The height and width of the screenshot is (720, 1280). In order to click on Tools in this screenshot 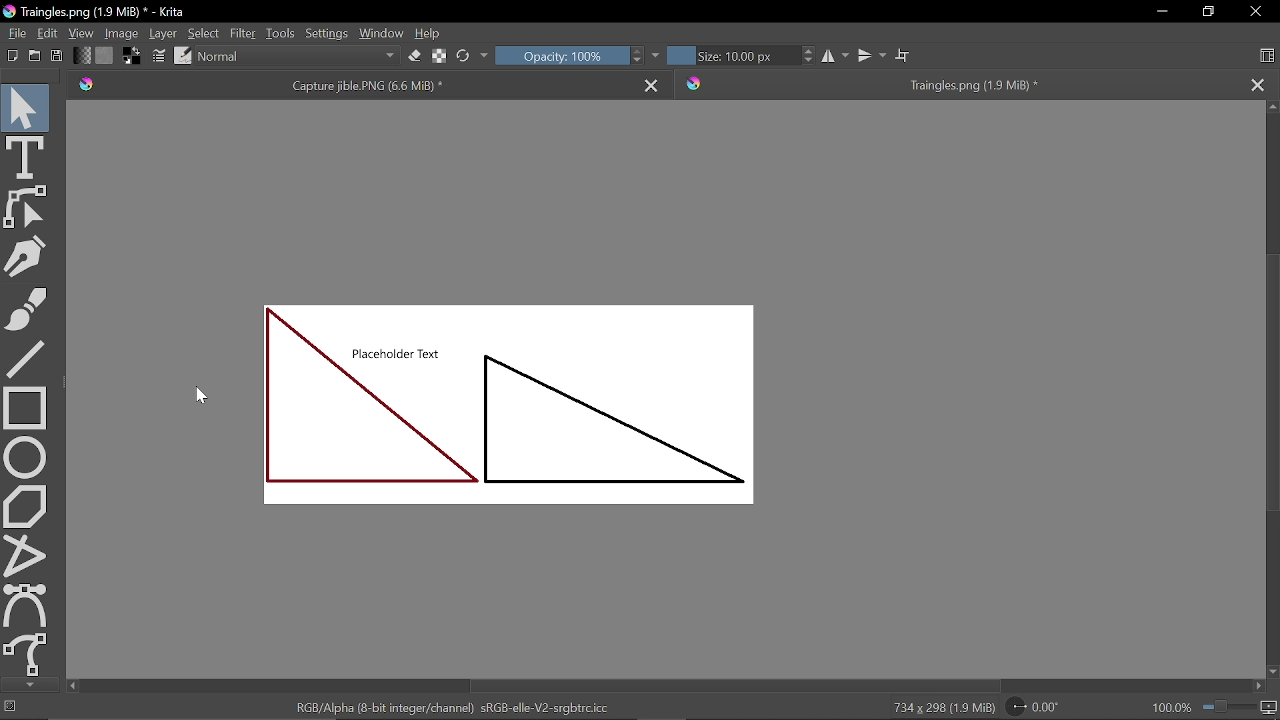, I will do `click(279, 35)`.